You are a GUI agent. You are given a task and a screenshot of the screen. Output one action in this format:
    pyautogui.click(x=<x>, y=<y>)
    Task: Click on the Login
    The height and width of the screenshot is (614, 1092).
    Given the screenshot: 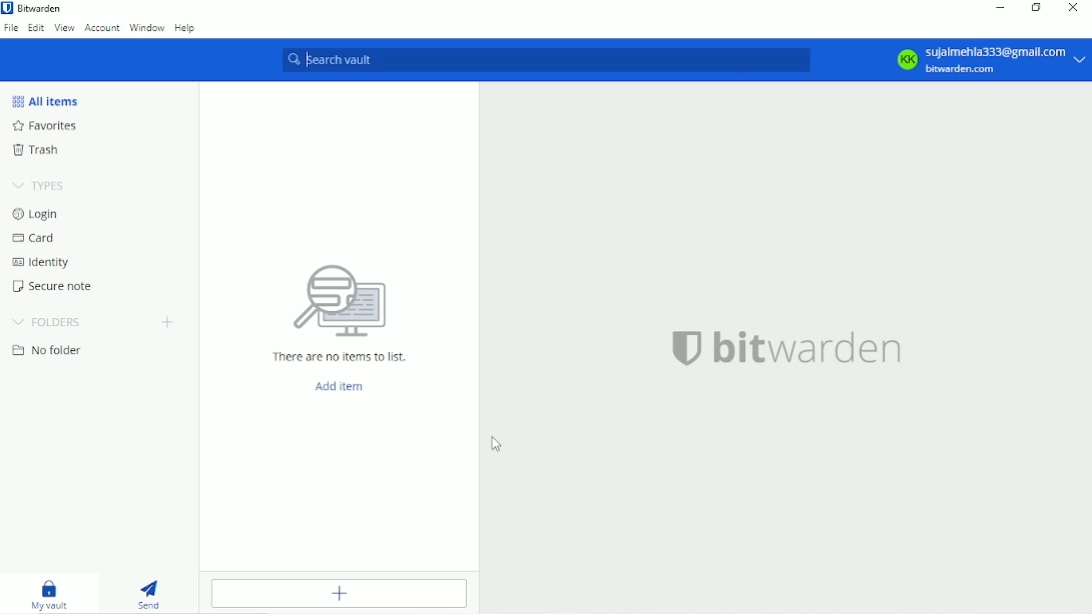 What is the action you would take?
    pyautogui.click(x=39, y=214)
    